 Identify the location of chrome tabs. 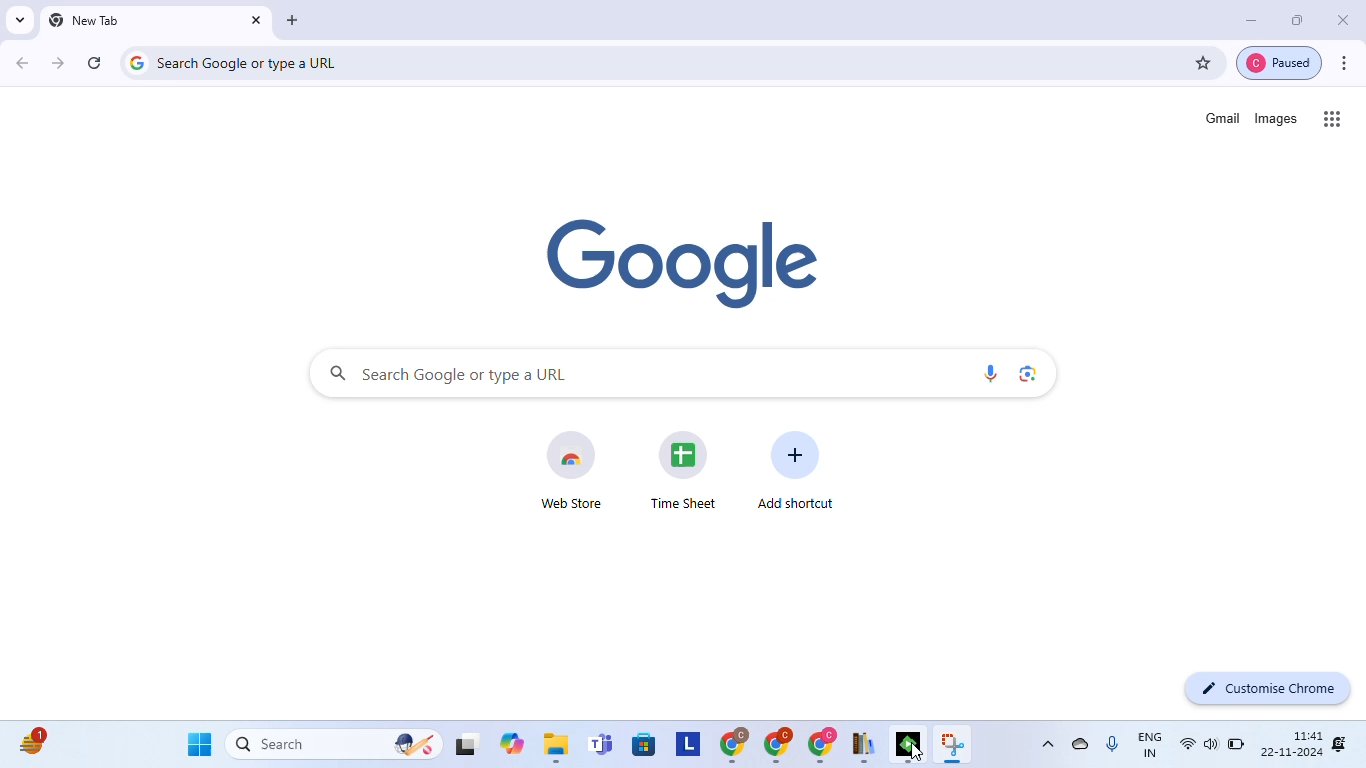
(777, 745).